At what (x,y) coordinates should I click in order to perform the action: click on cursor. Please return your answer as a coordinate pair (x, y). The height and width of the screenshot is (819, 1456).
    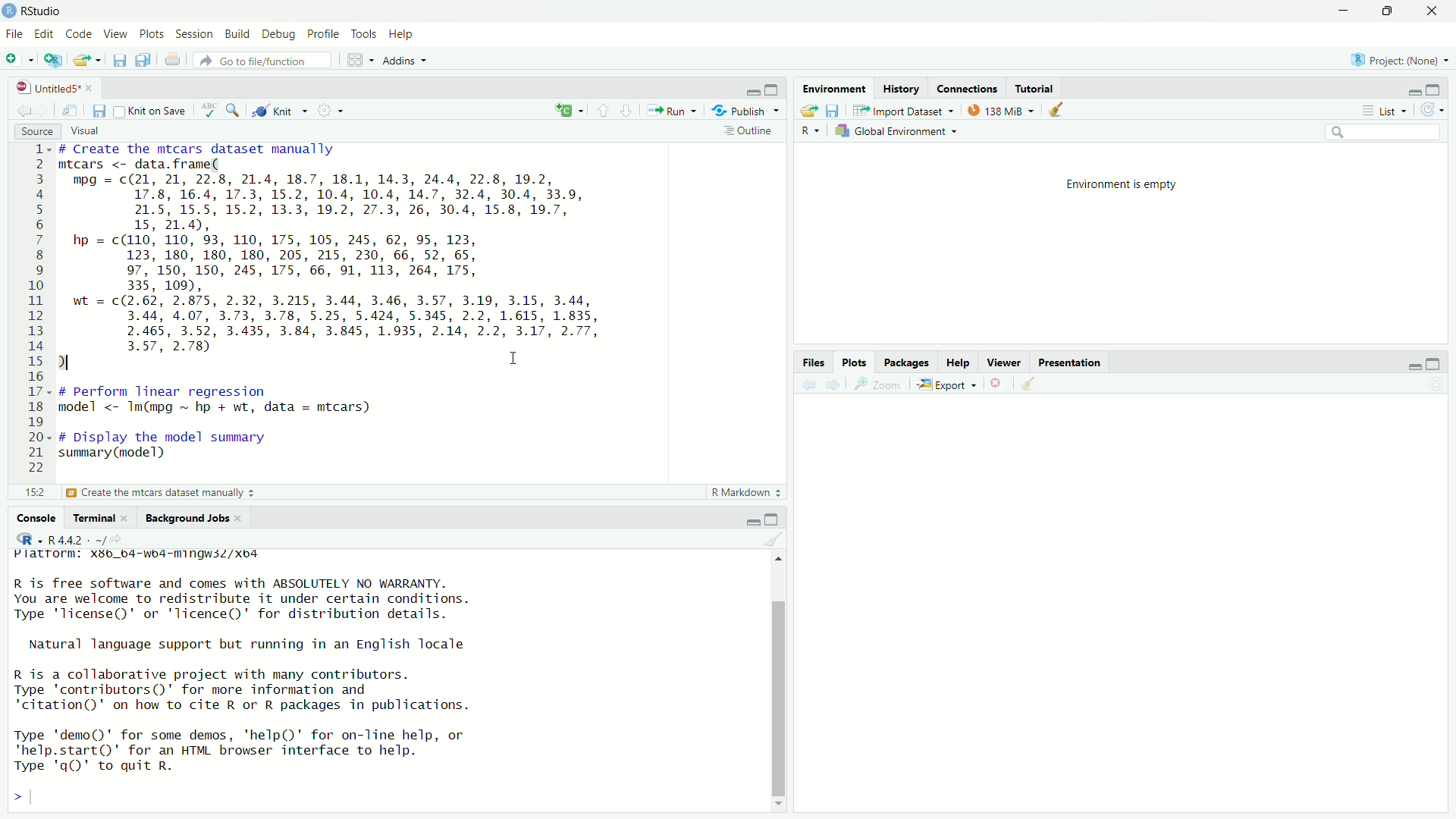
    Looking at the image, I should click on (516, 359).